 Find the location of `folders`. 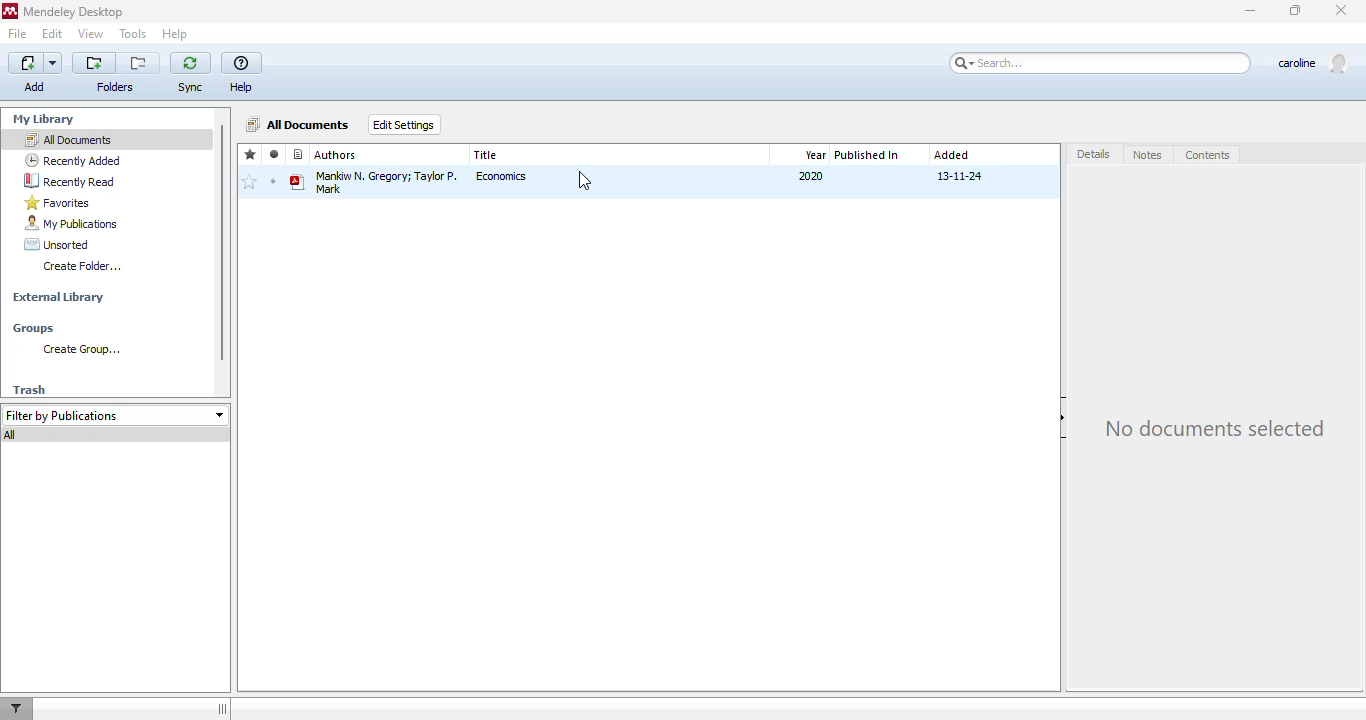

folders is located at coordinates (114, 87).